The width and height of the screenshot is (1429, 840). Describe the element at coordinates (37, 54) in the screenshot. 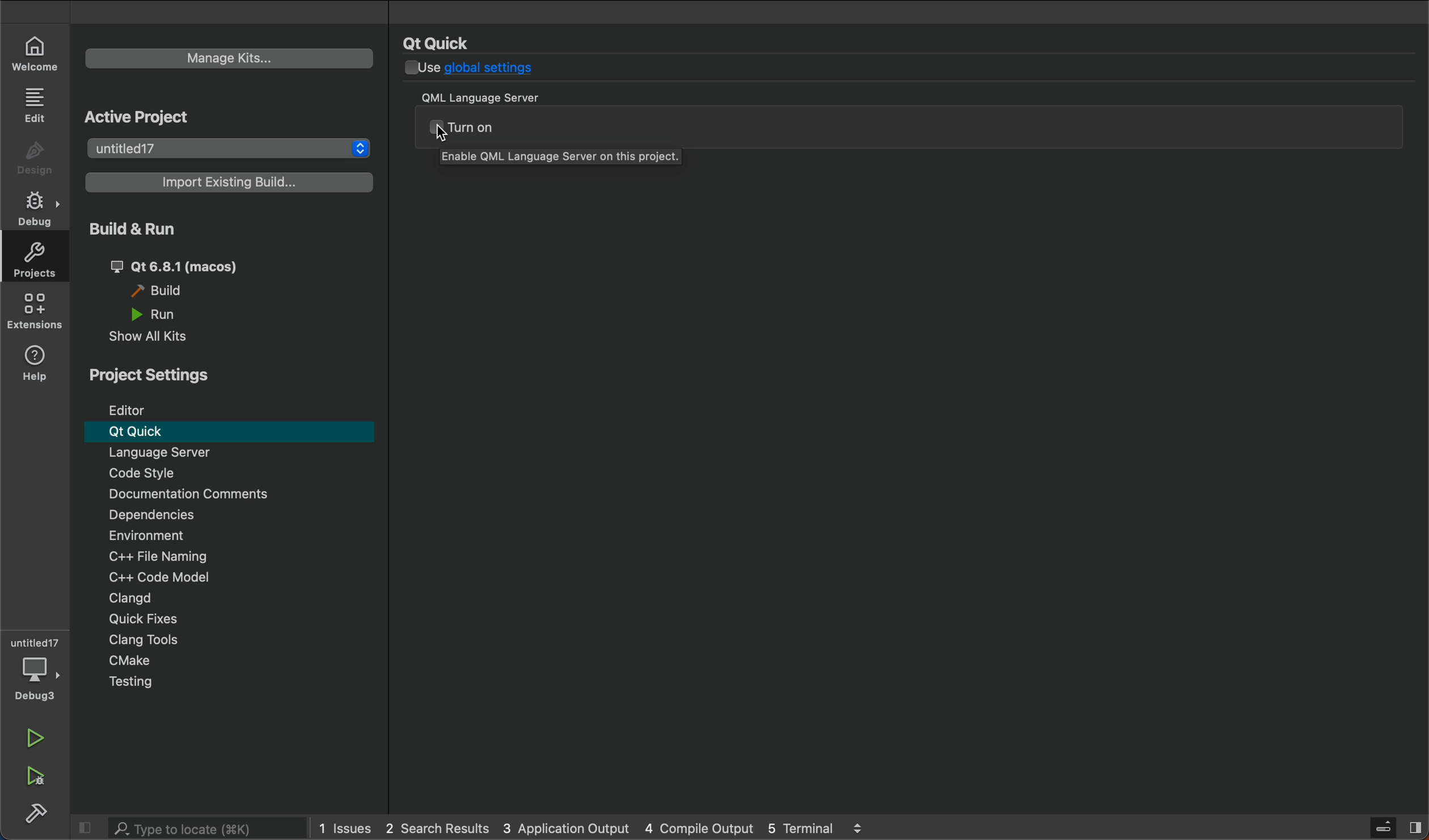

I see `WELCOME` at that location.